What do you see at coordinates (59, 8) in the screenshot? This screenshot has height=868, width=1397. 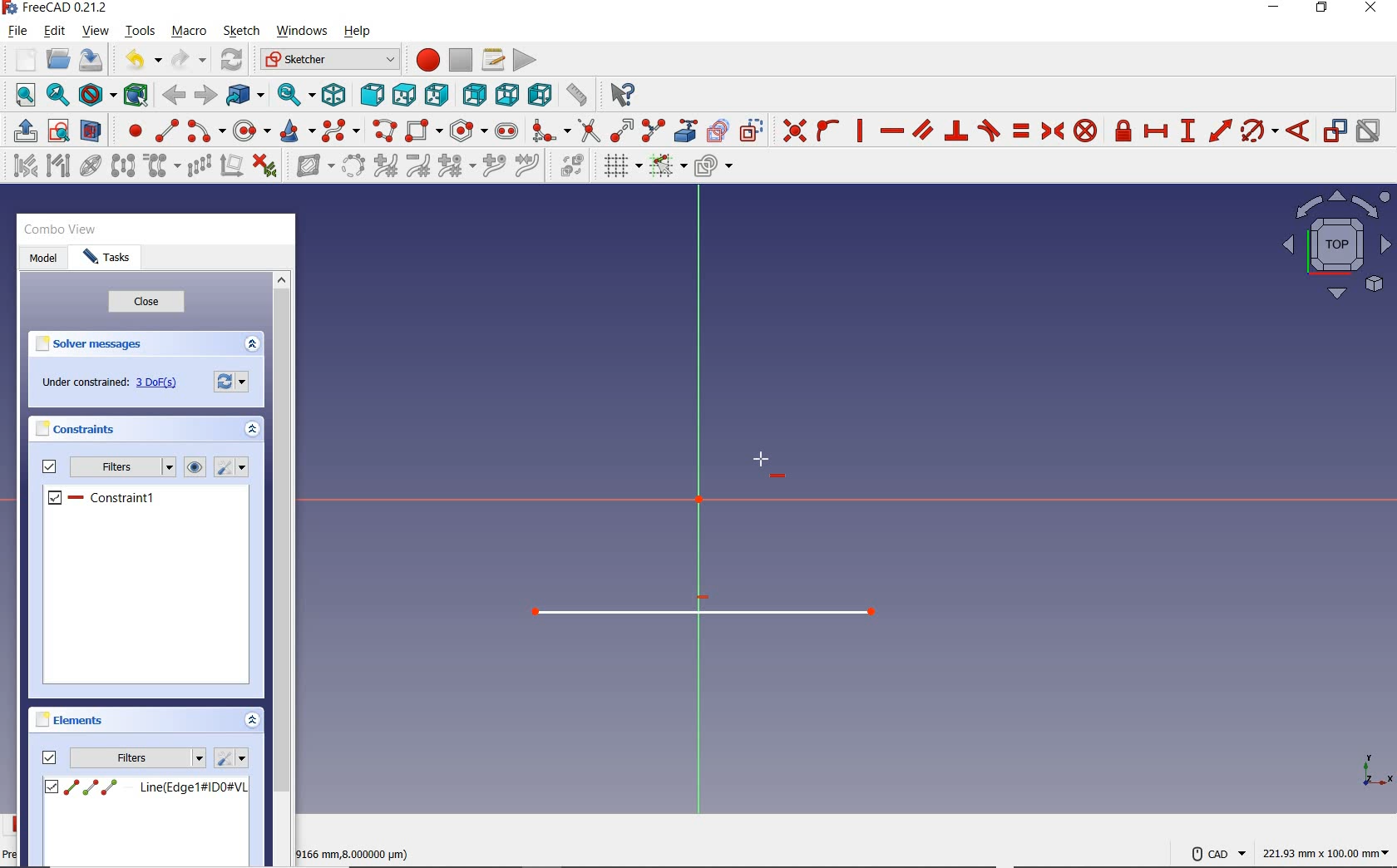 I see `SYSTEM NAME` at bounding box center [59, 8].